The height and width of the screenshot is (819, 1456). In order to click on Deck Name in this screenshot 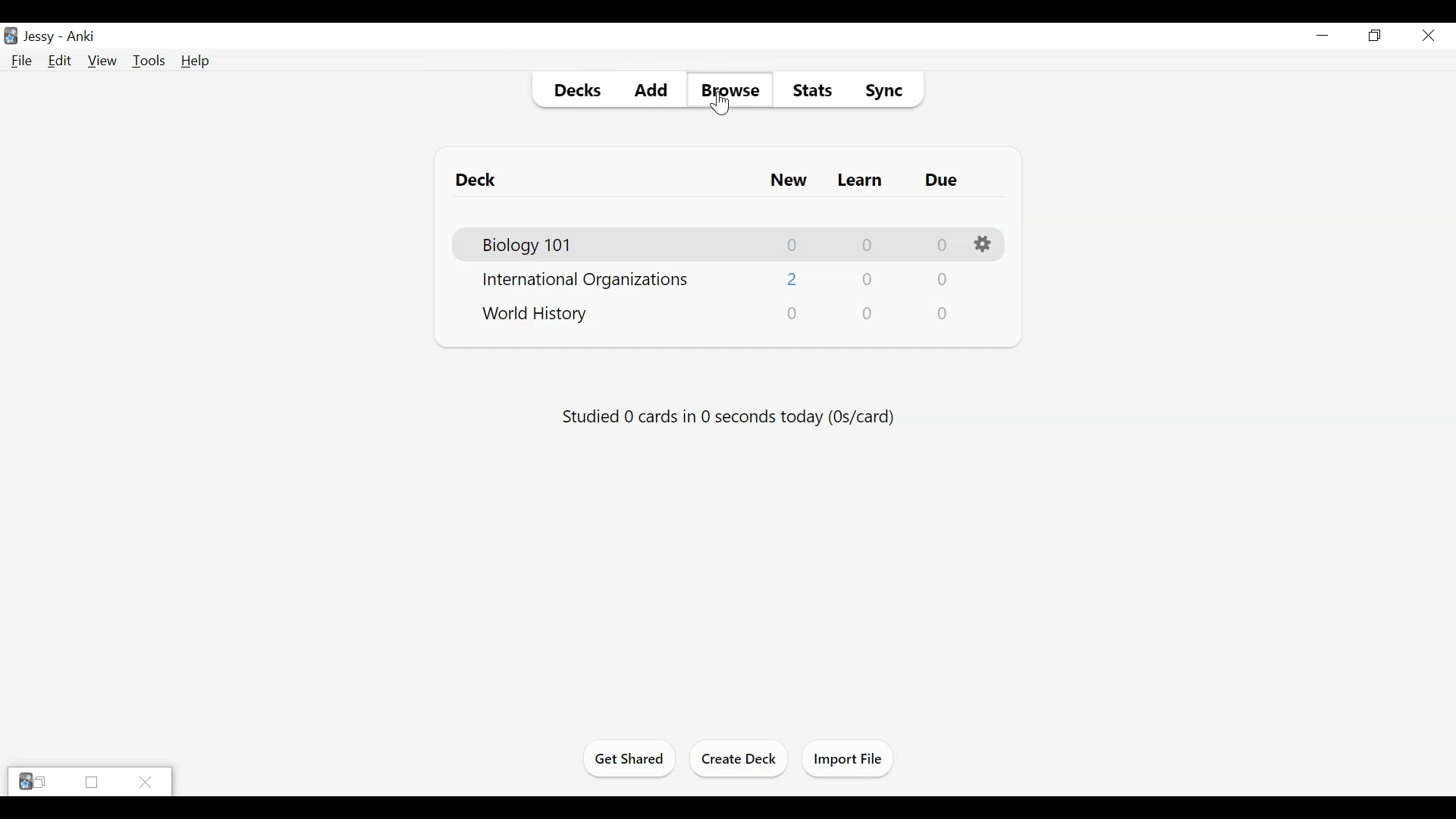, I will do `click(526, 246)`.